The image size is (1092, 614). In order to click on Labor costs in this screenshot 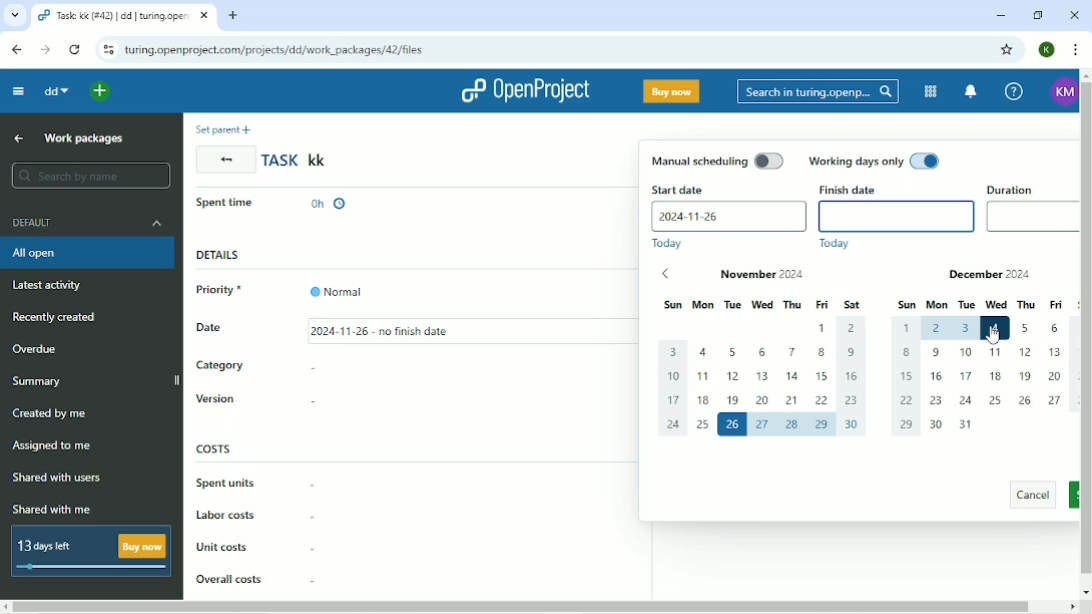, I will do `click(253, 517)`.